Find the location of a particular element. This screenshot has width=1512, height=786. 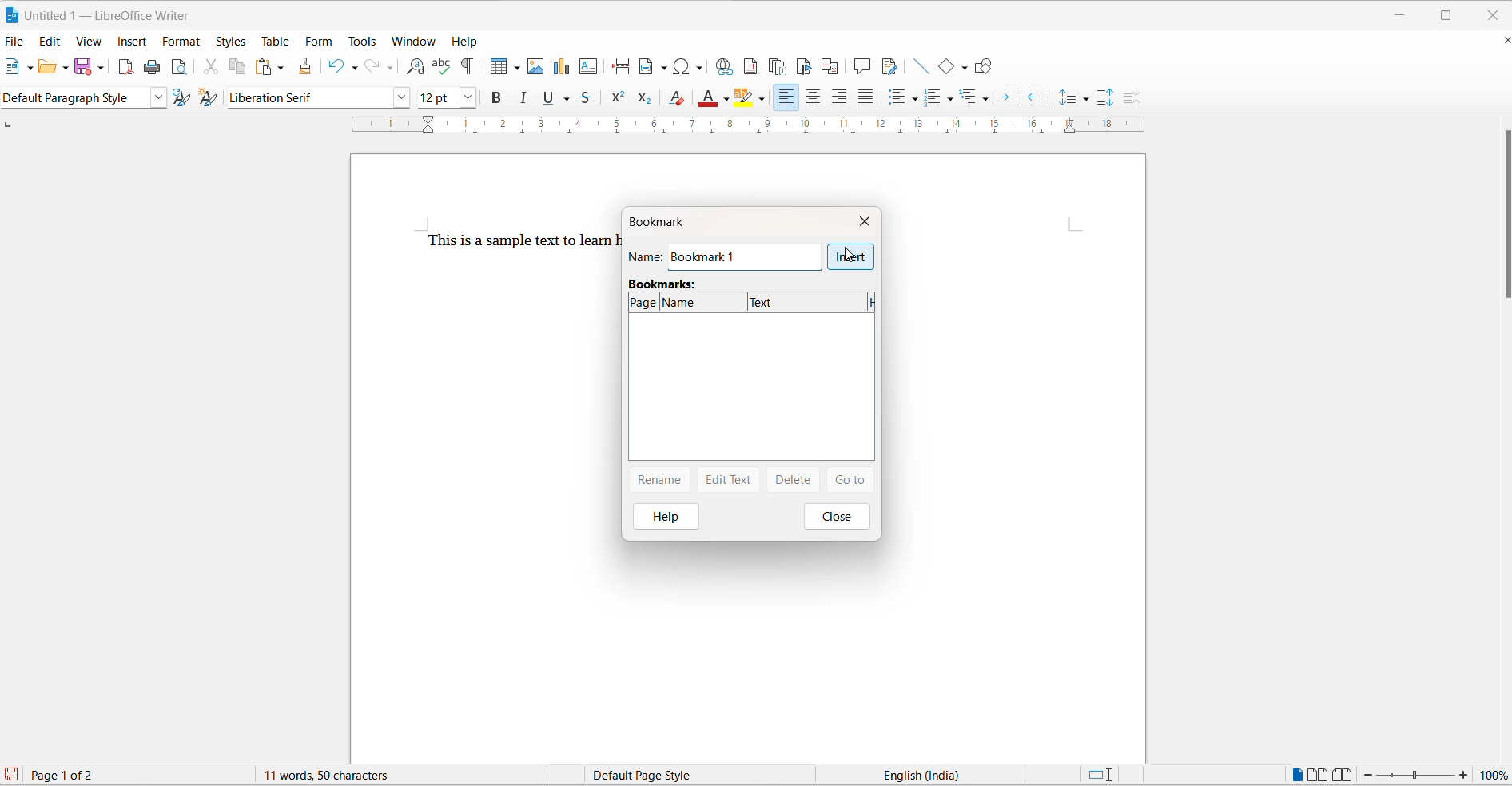

find and replace is located at coordinates (416, 65).